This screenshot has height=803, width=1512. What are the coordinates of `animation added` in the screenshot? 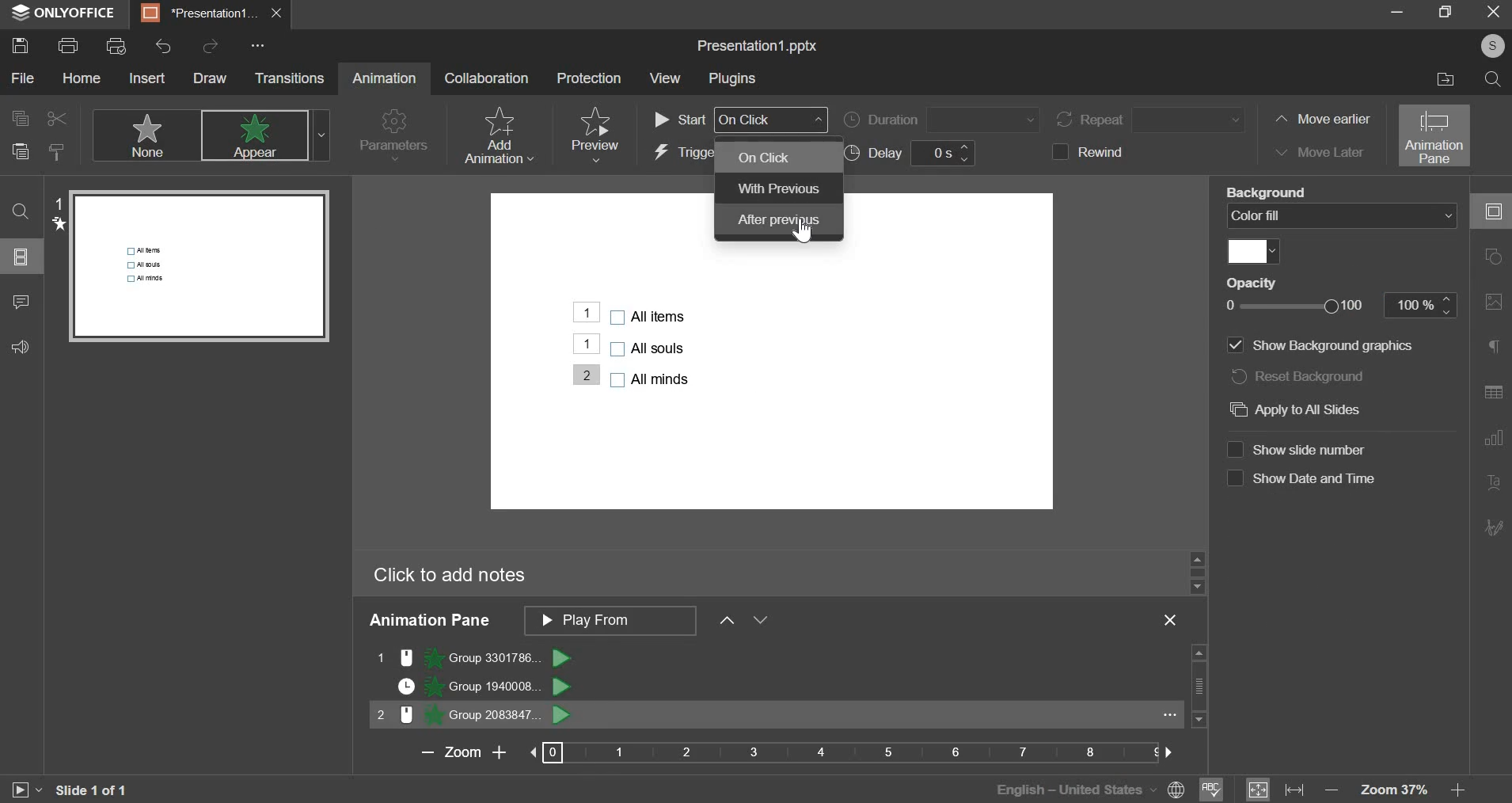 It's located at (587, 344).